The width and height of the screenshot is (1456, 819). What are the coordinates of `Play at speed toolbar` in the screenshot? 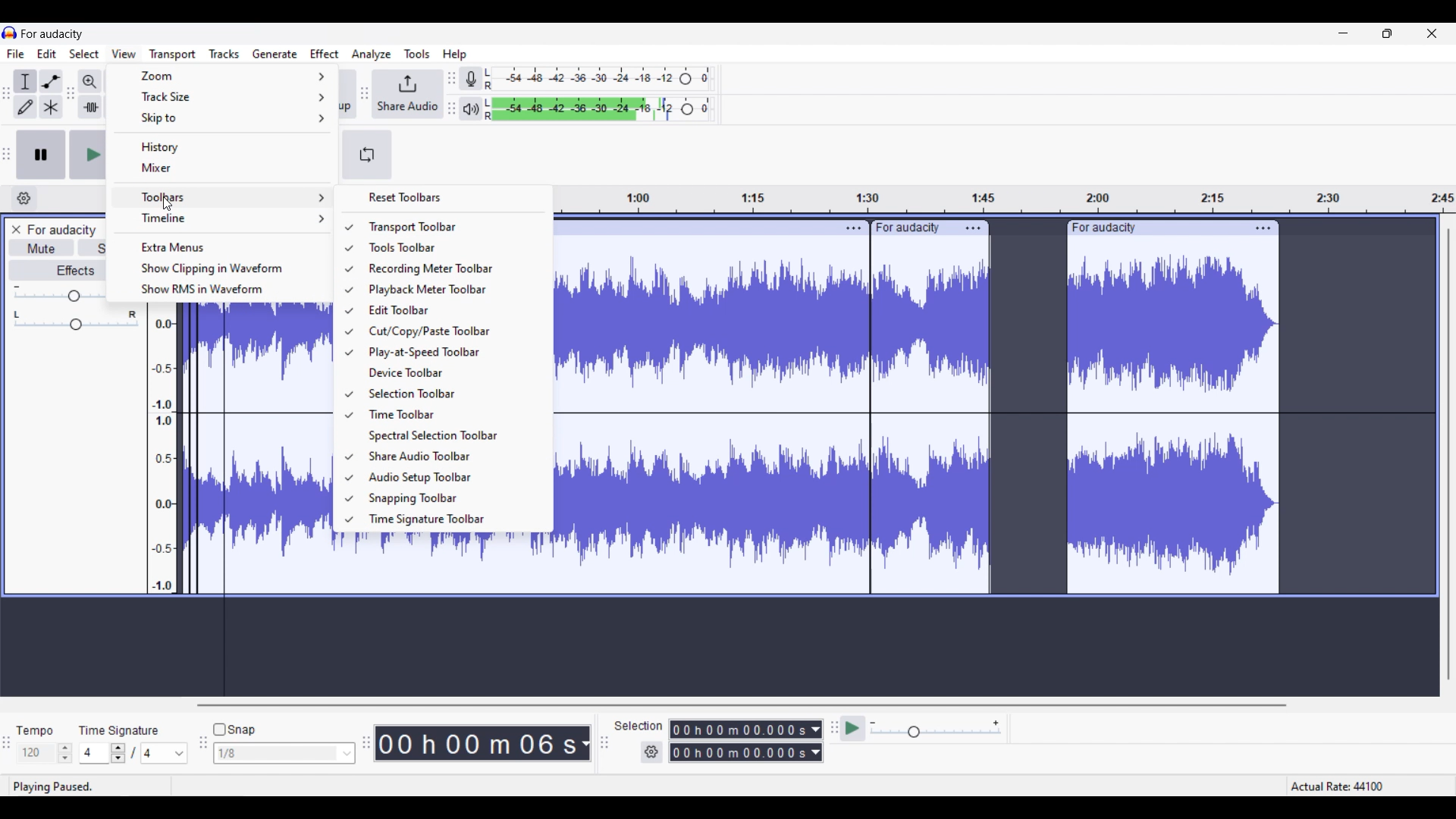 It's located at (450, 353).